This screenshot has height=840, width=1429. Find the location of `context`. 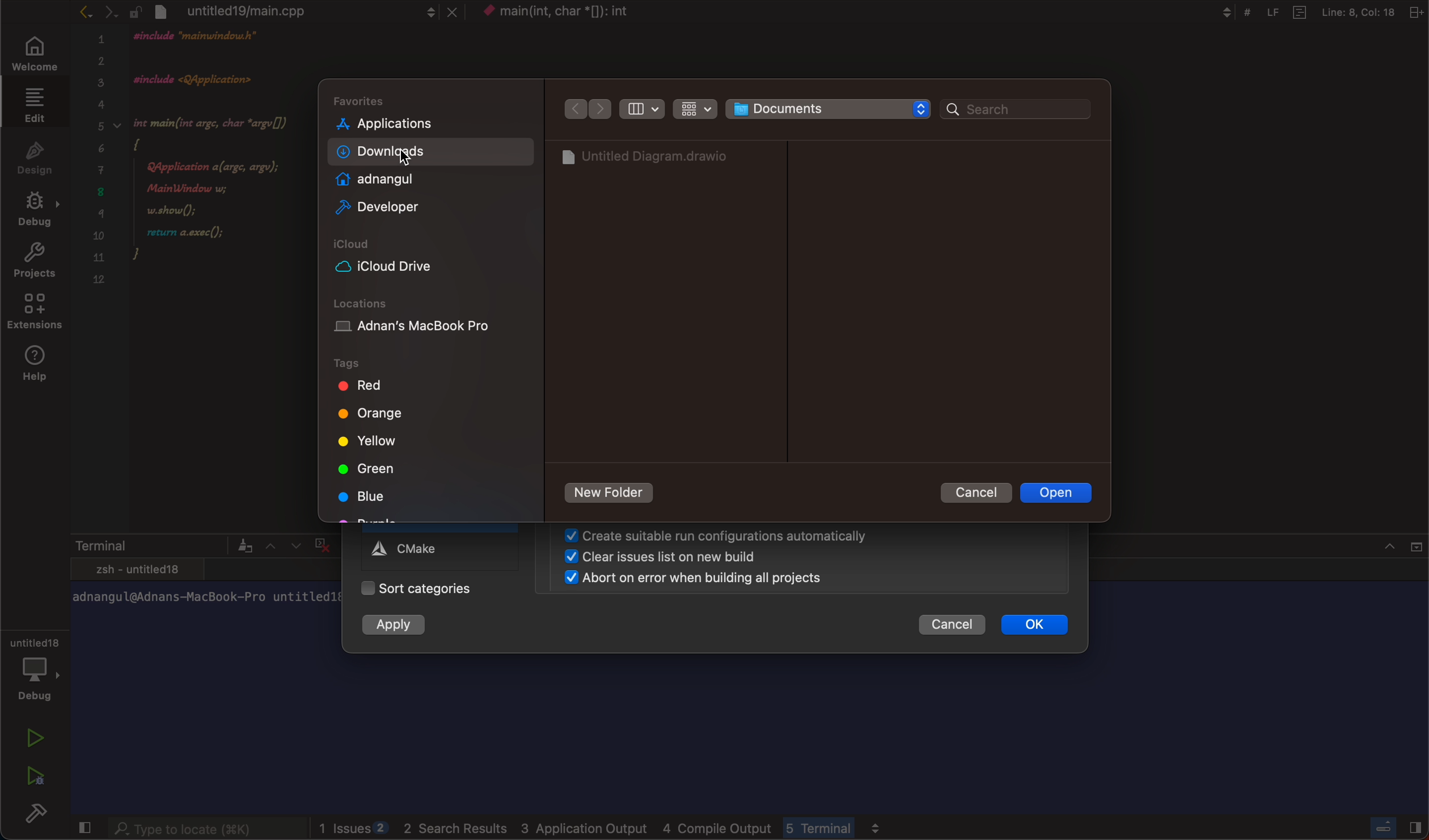

context is located at coordinates (579, 12).